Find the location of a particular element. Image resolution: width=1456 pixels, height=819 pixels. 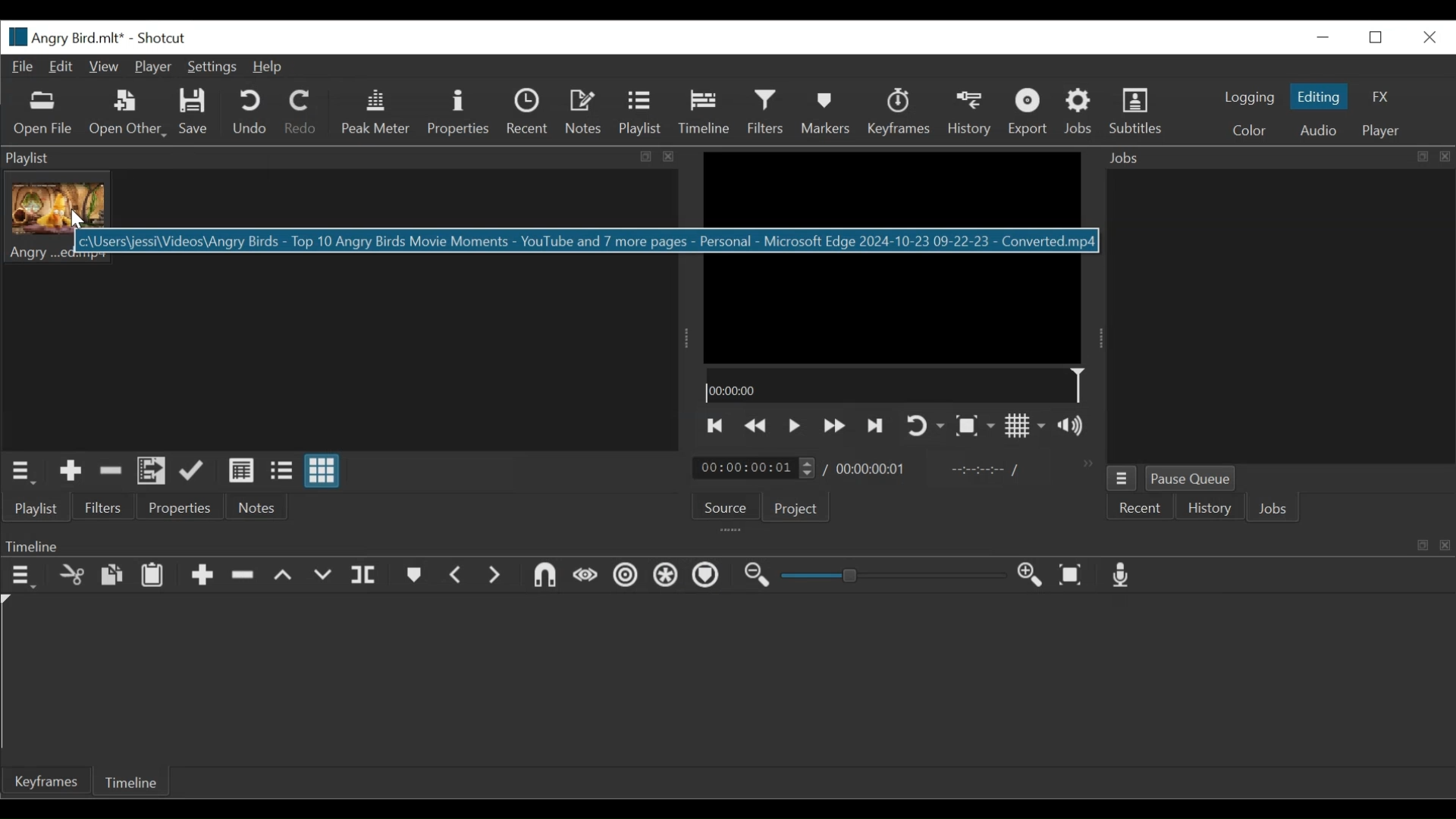

Undo is located at coordinates (252, 113).